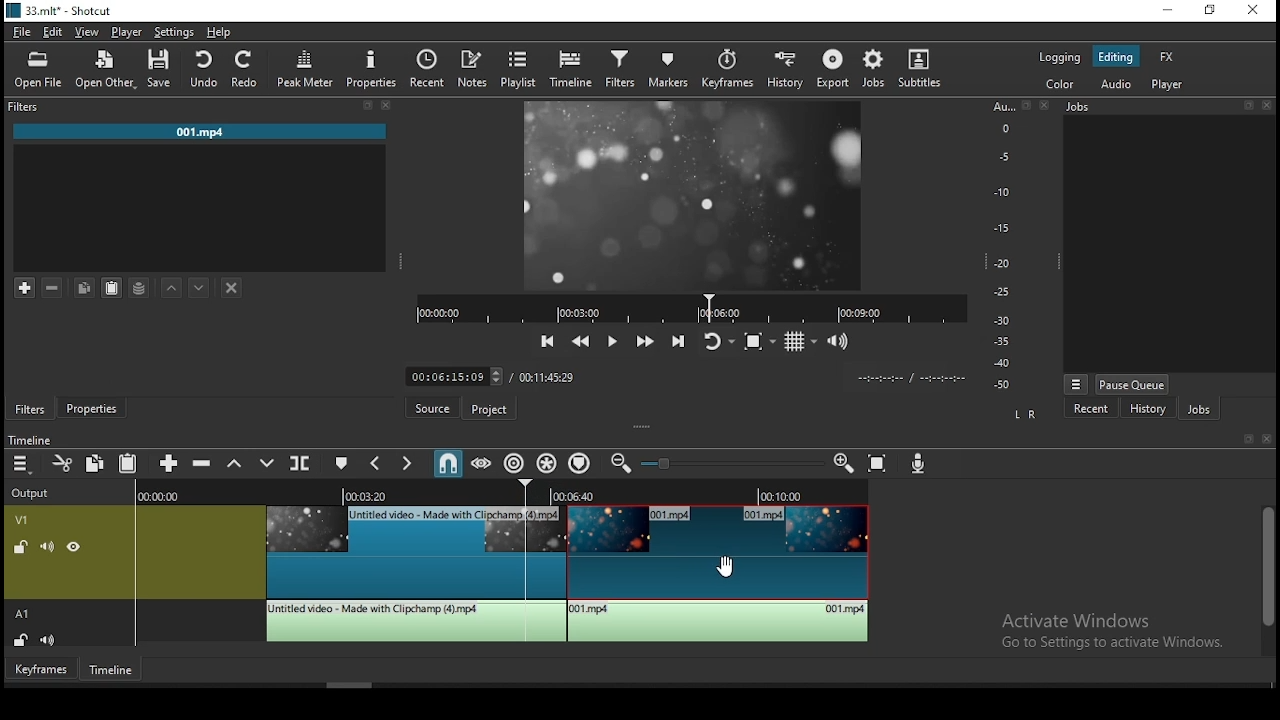 The image size is (1280, 720). I want to click on cut, so click(63, 463).